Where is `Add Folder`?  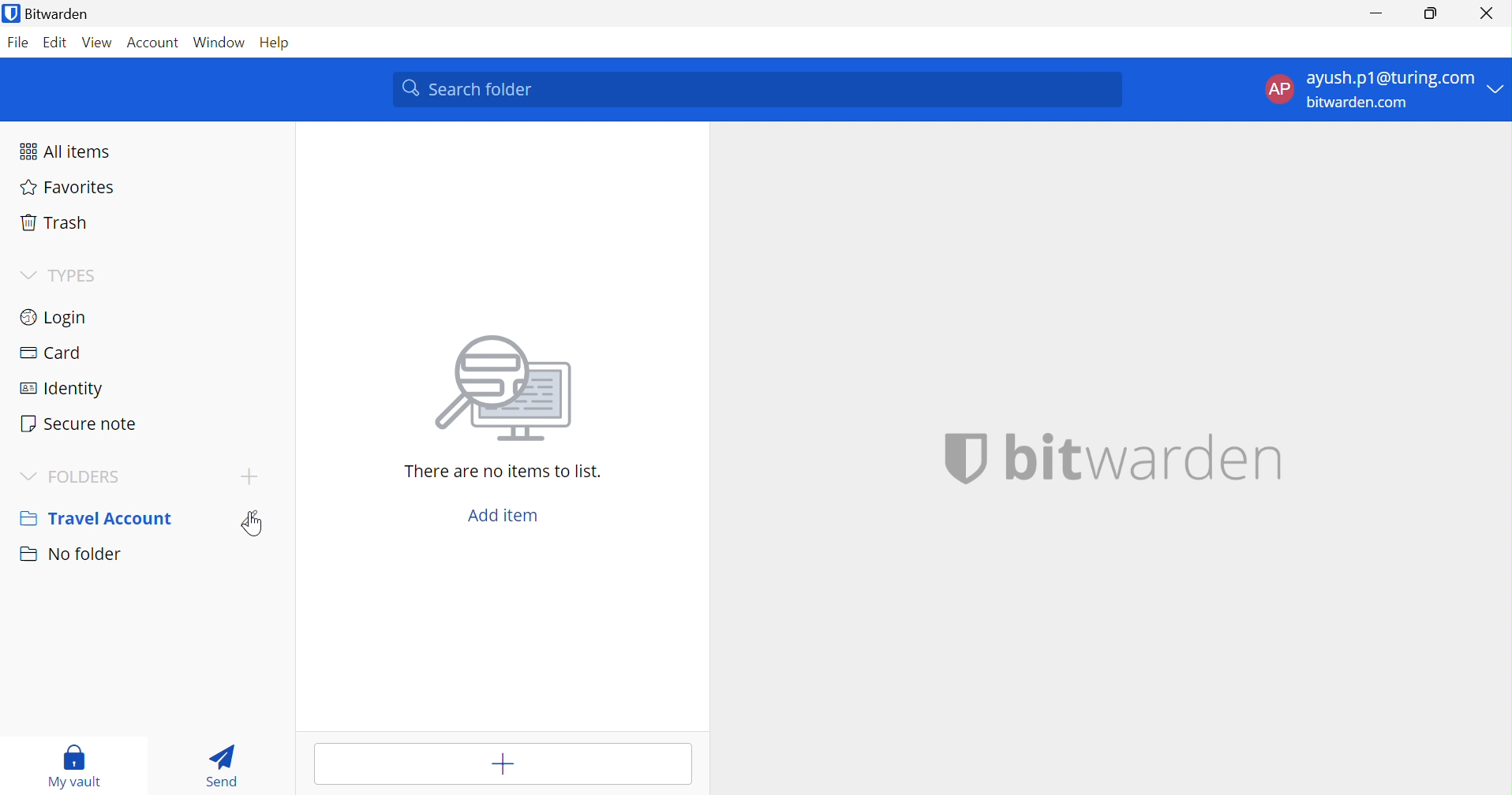
Add Folder is located at coordinates (249, 478).